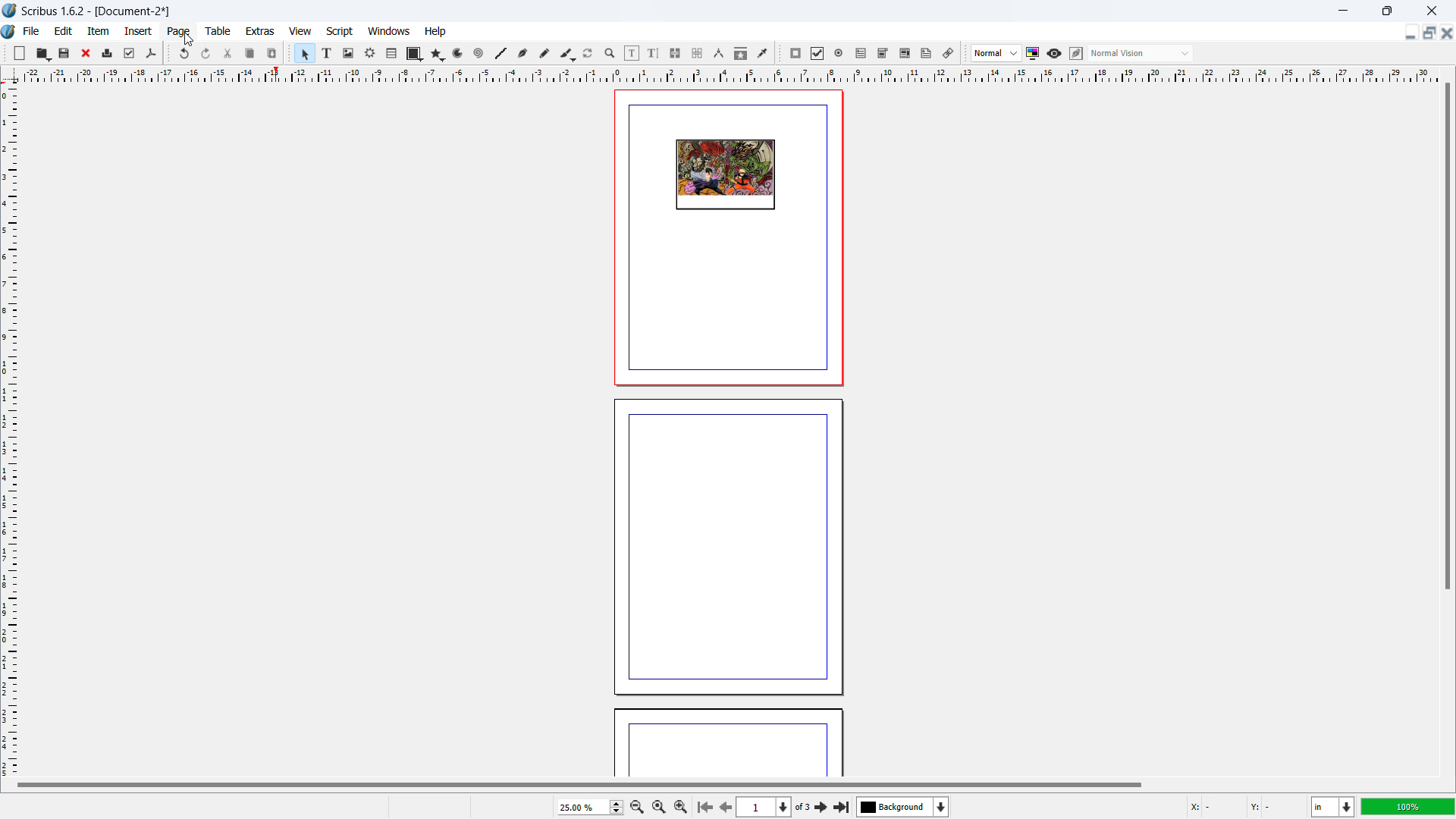  I want to click on save, so click(65, 52).